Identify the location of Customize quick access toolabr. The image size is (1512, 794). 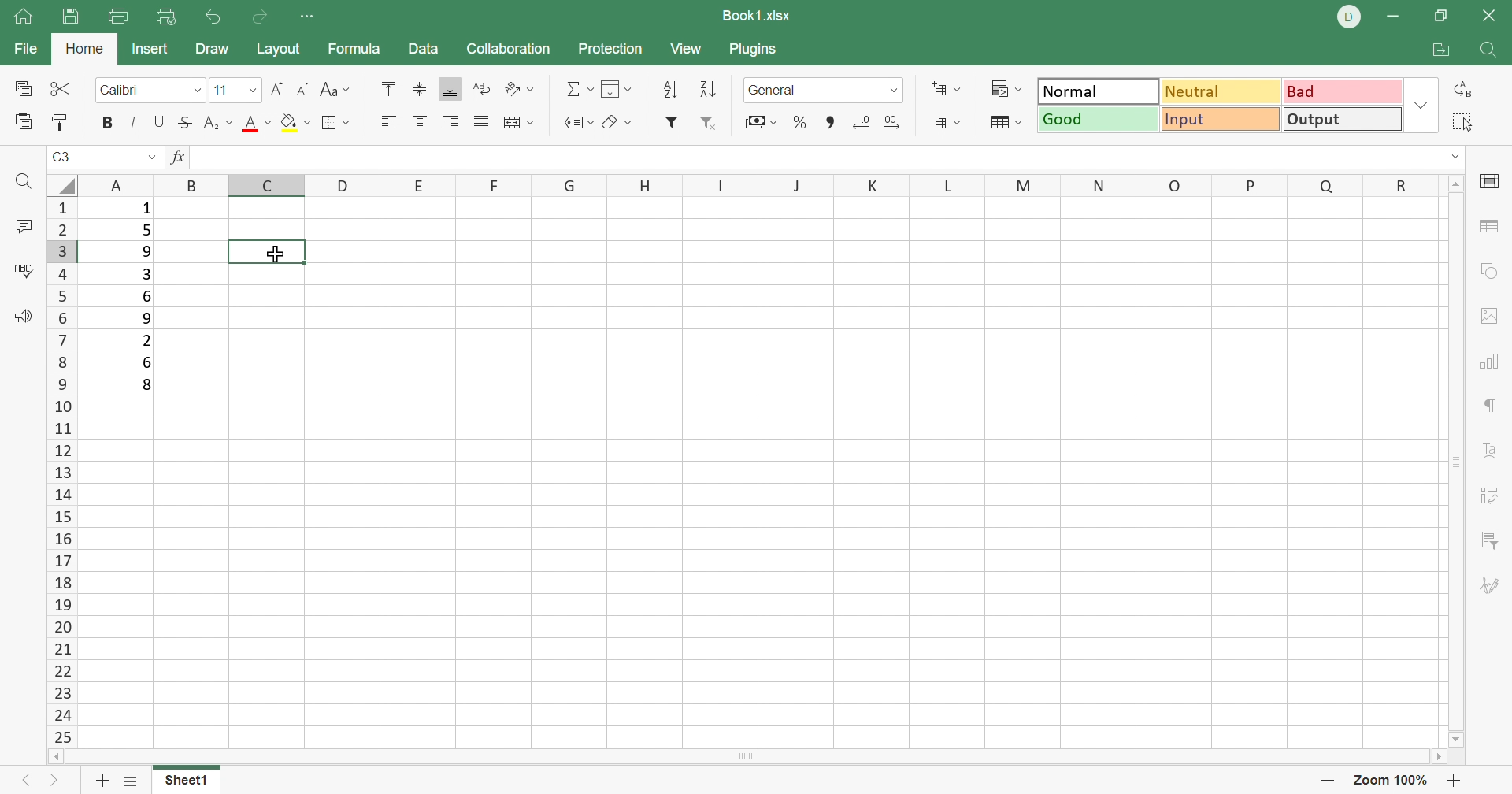
(309, 17).